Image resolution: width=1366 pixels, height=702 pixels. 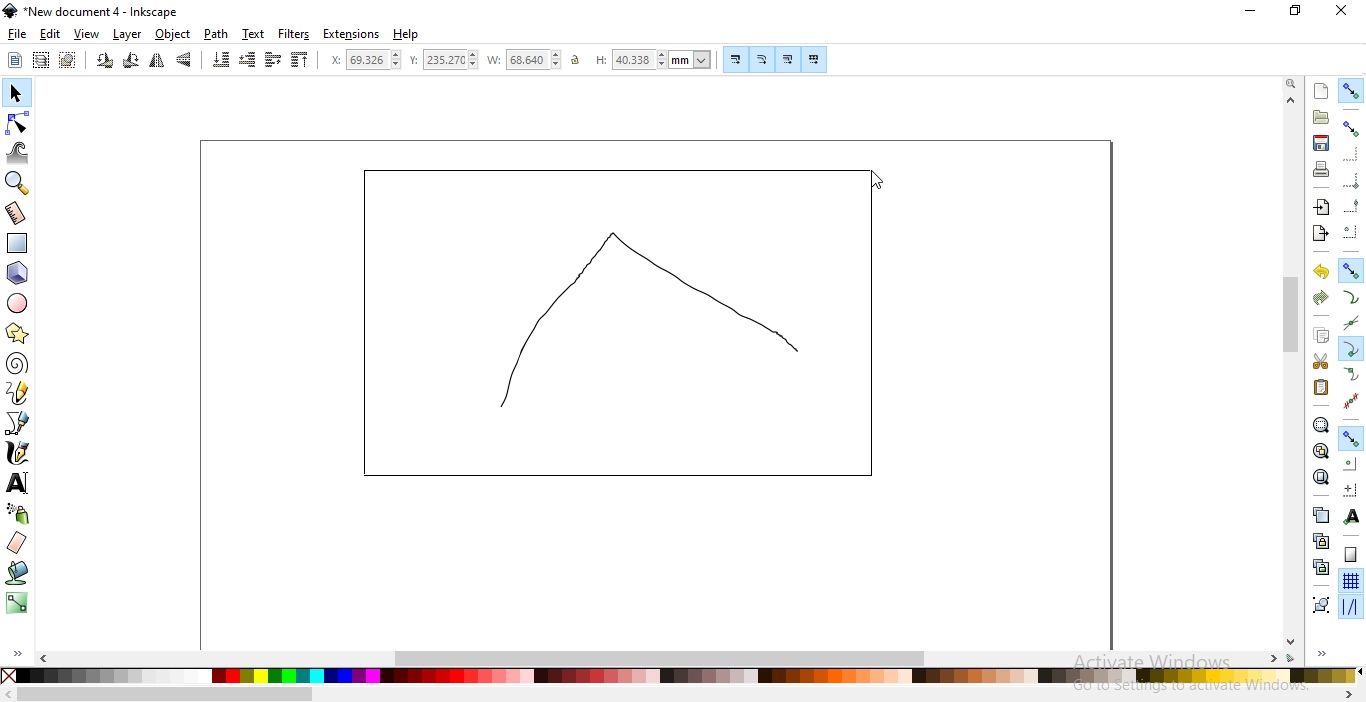 I want to click on raise selection one step, so click(x=272, y=60).